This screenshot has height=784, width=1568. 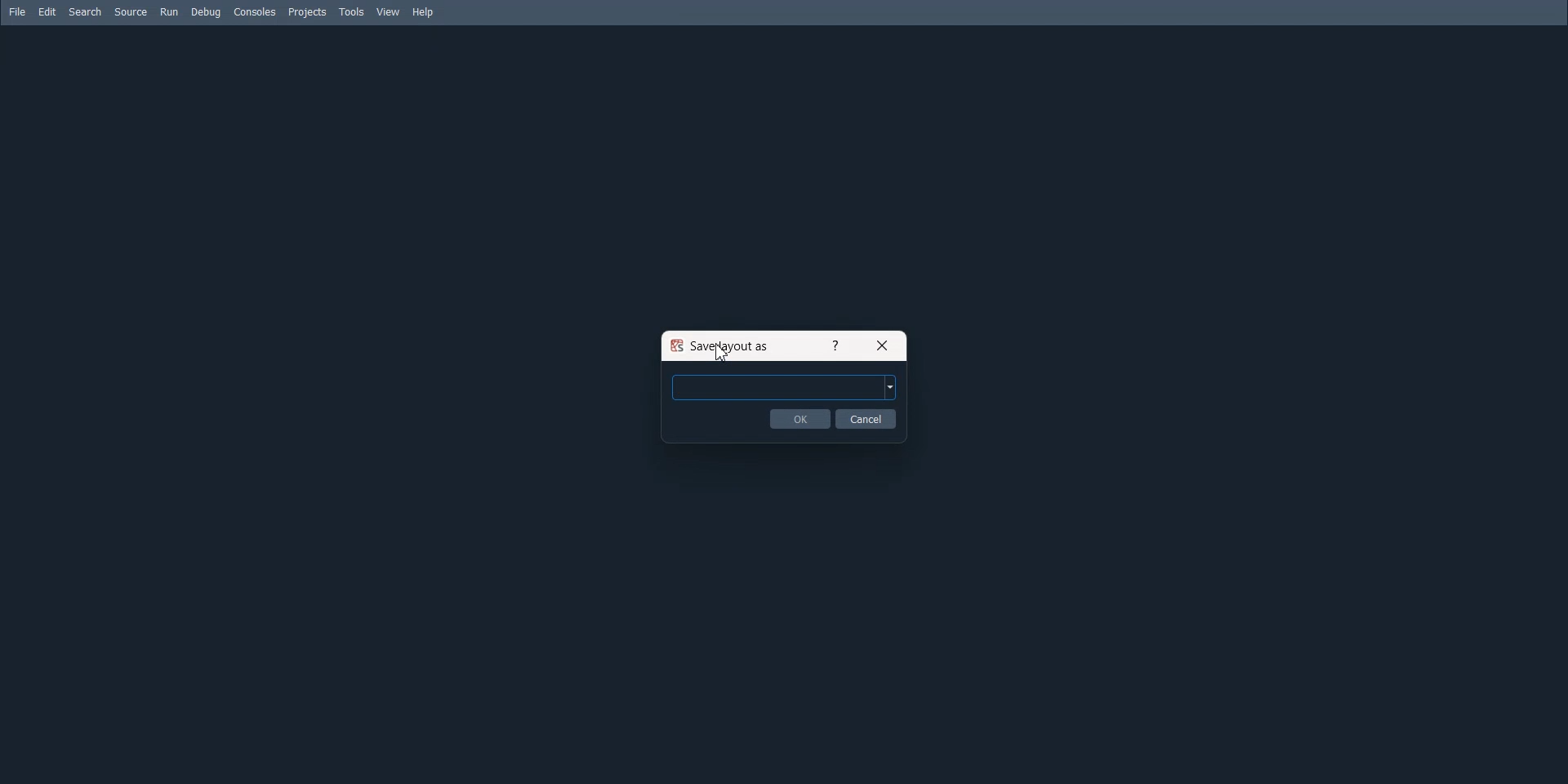 I want to click on Help, so click(x=425, y=13).